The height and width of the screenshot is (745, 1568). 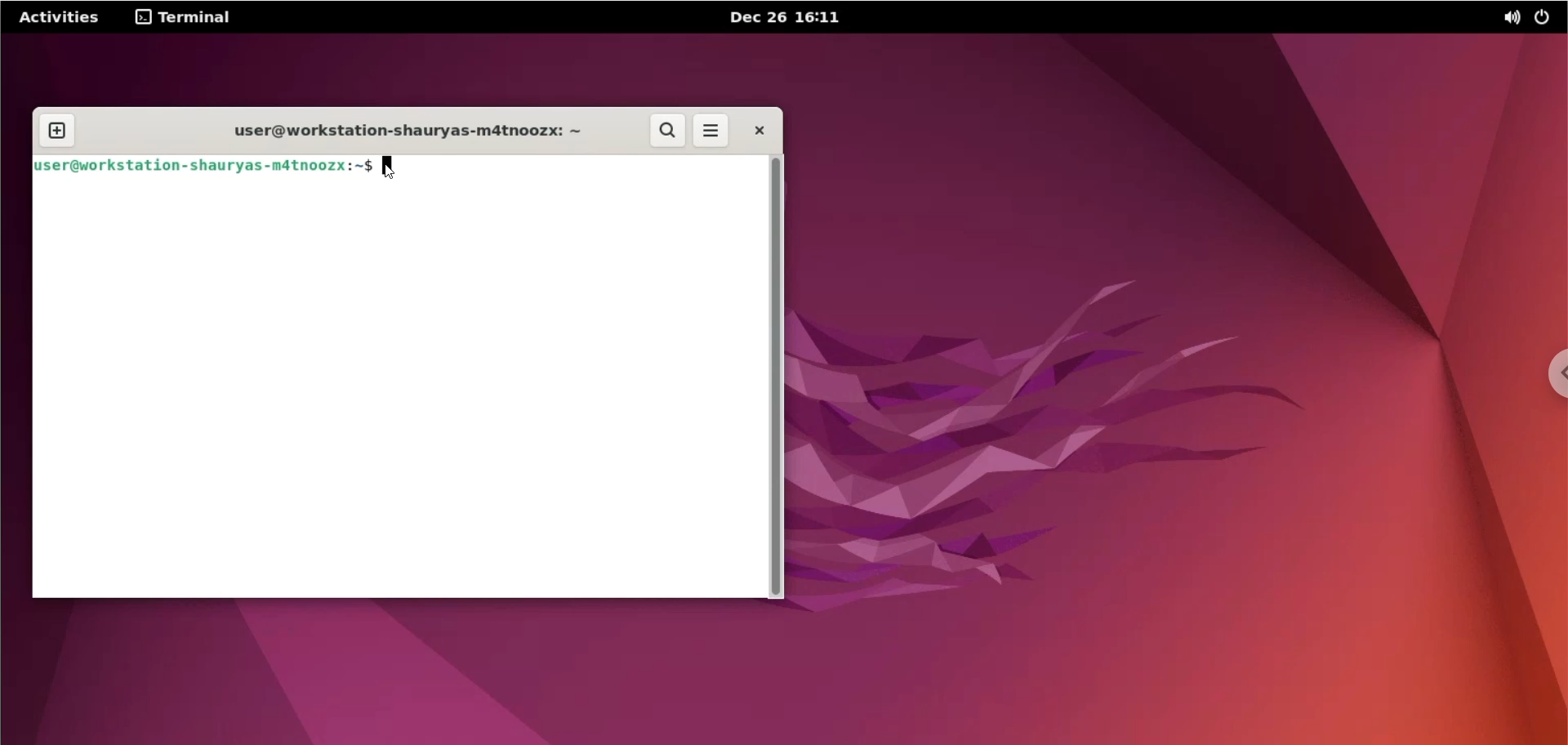 What do you see at coordinates (710, 131) in the screenshot?
I see `menu` at bounding box center [710, 131].